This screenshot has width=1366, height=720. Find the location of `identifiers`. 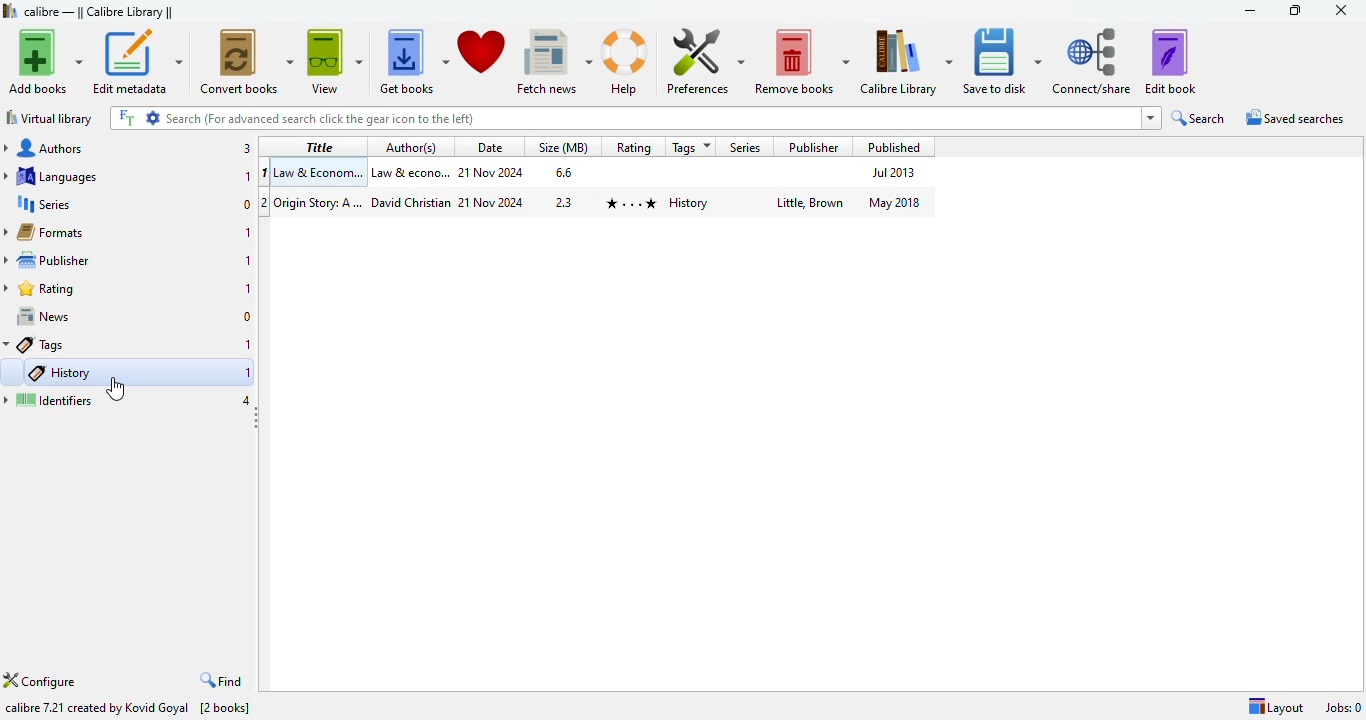

identifiers is located at coordinates (49, 400).